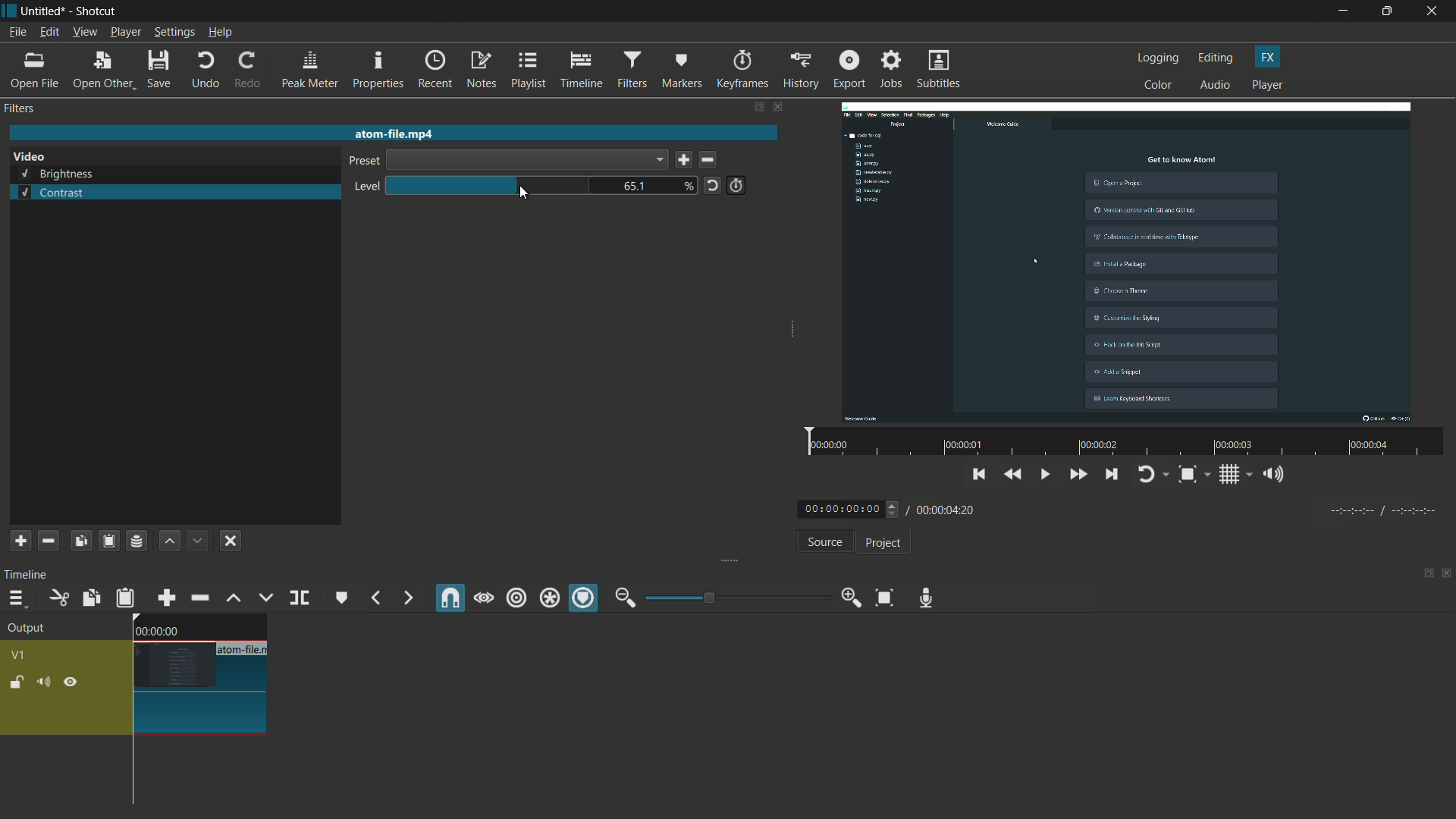 Image resolution: width=1456 pixels, height=819 pixels. Describe the element at coordinates (1381, 508) in the screenshot. I see `timecodes` at that location.